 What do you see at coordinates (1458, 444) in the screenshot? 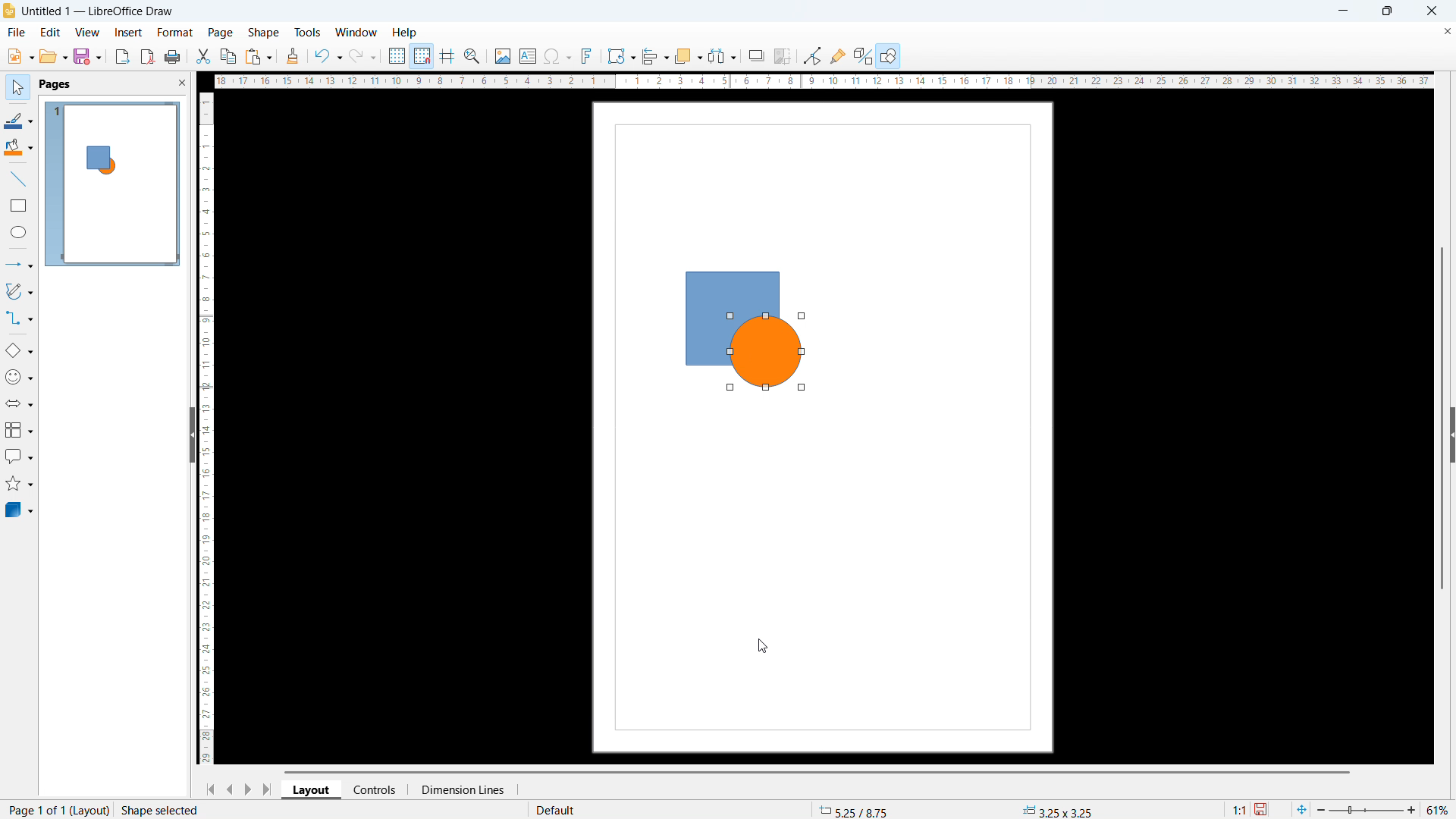
I see `expand pane` at bounding box center [1458, 444].